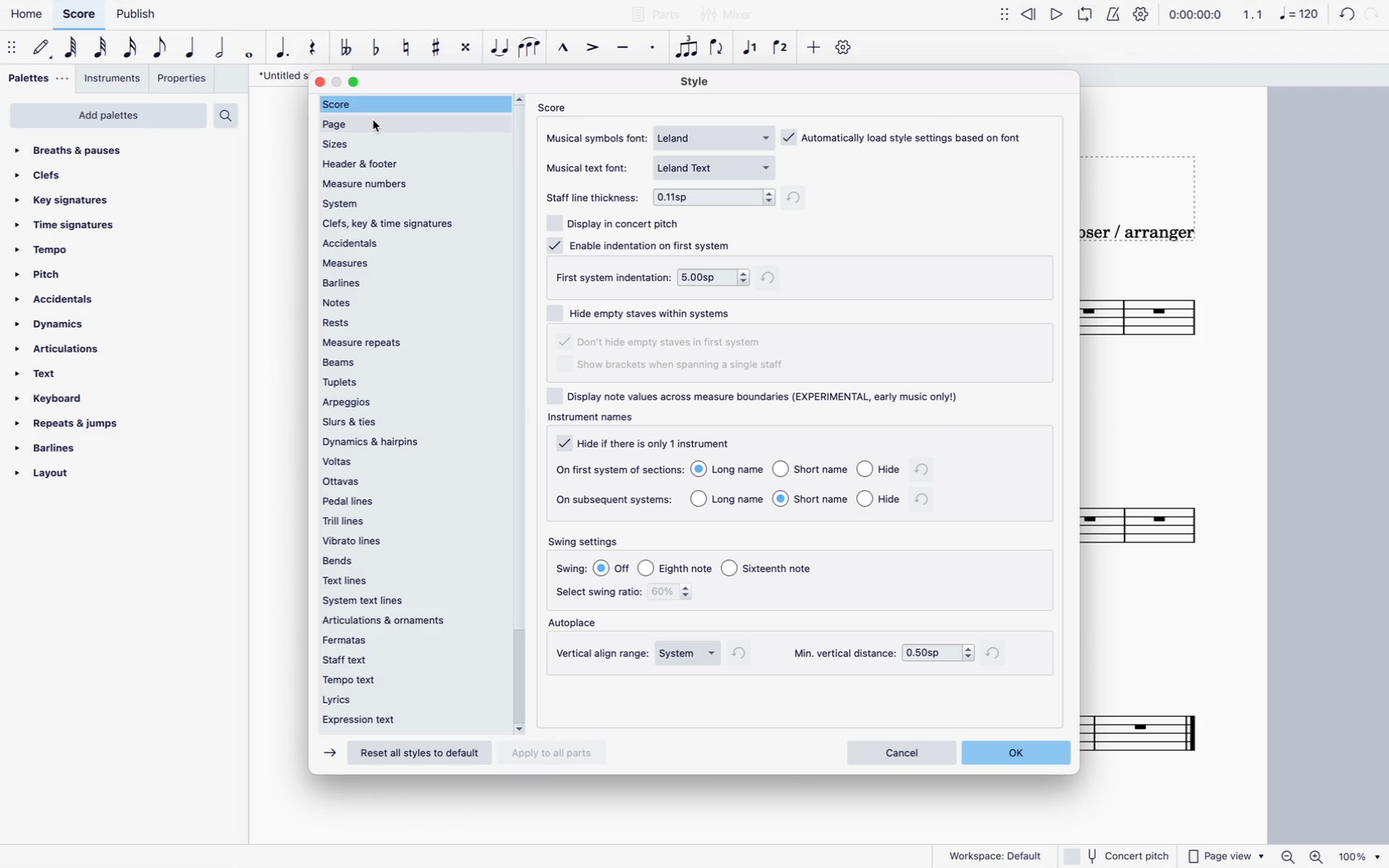 This screenshot has height=868, width=1389. What do you see at coordinates (218, 50) in the screenshot?
I see `half note` at bounding box center [218, 50].